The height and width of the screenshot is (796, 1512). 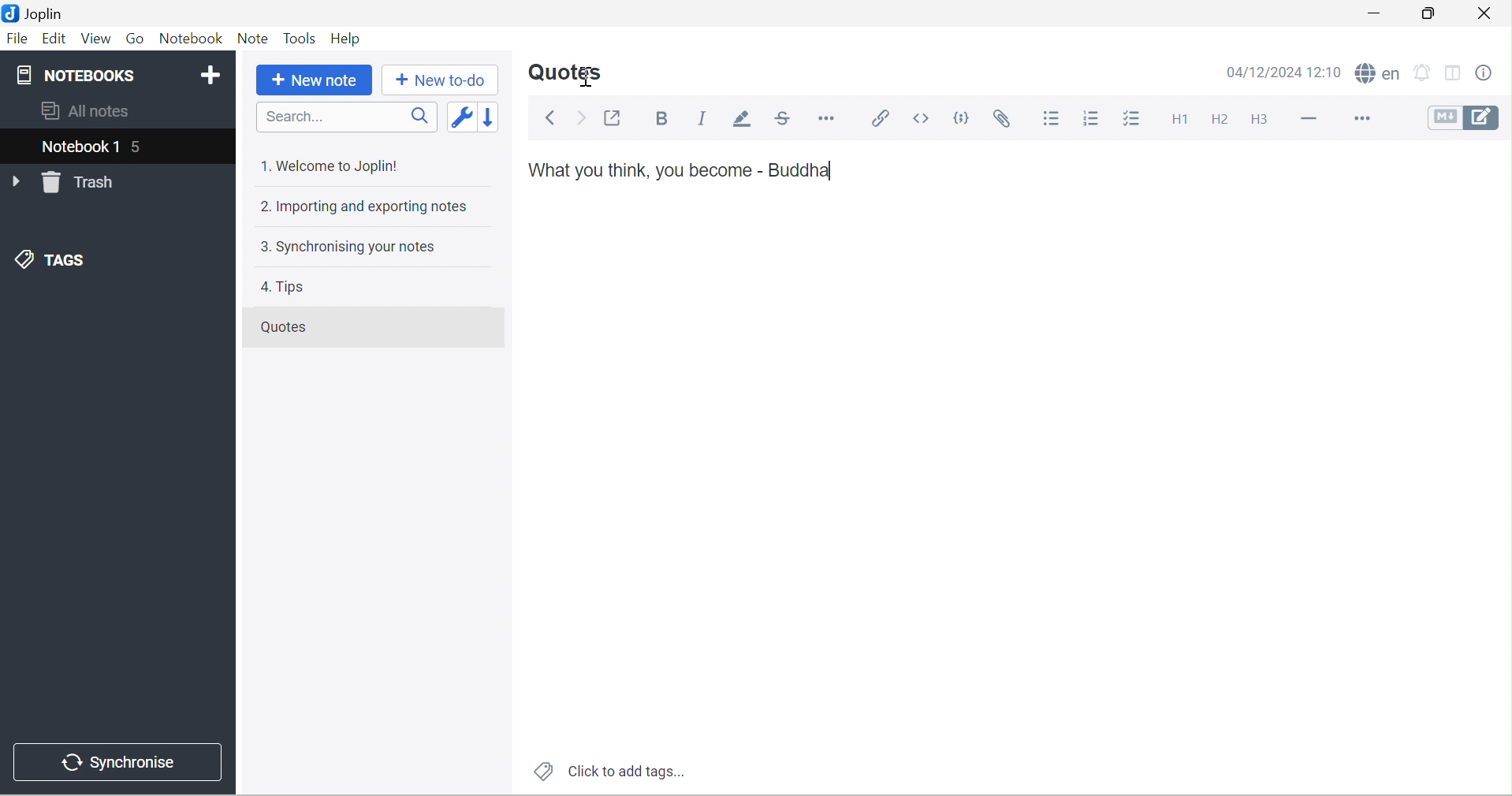 What do you see at coordinates (312, 83) in the screenshot?
I see `New note` at bounding box center [312, 83].